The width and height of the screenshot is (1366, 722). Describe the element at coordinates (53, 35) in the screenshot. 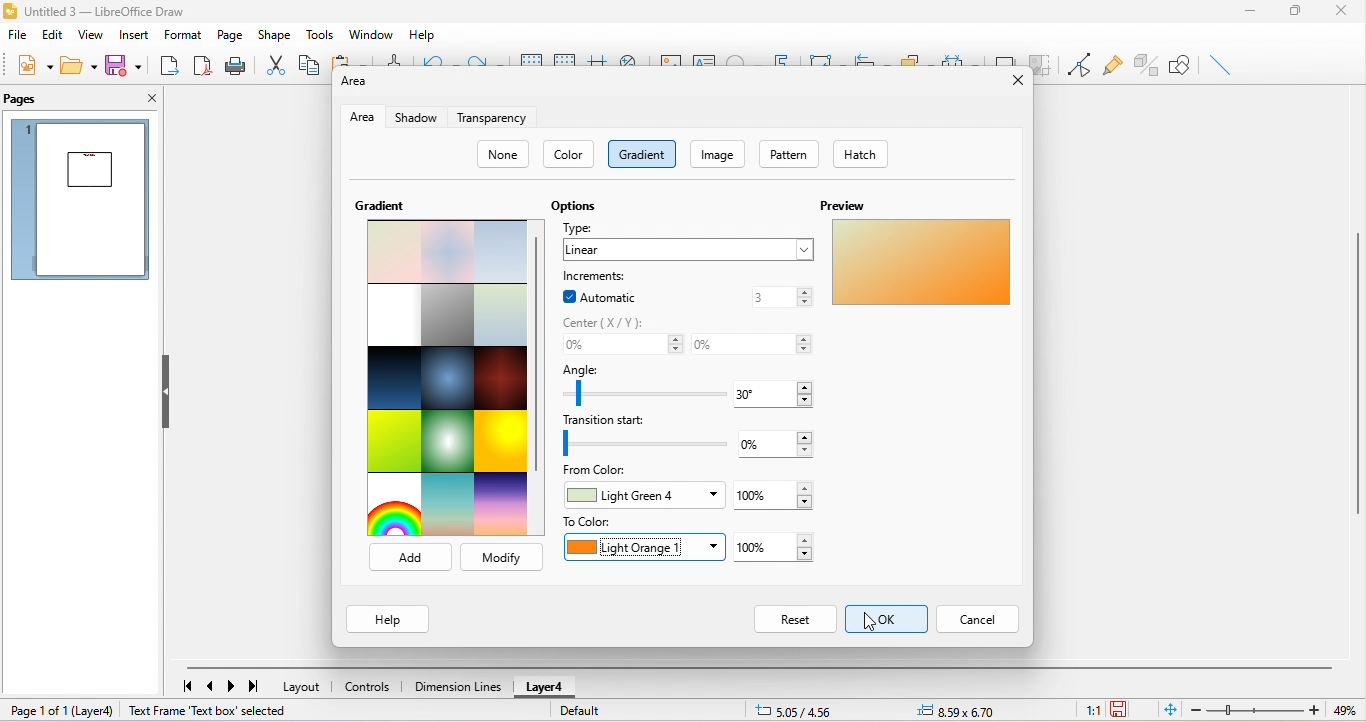

I see `edit` at that location.